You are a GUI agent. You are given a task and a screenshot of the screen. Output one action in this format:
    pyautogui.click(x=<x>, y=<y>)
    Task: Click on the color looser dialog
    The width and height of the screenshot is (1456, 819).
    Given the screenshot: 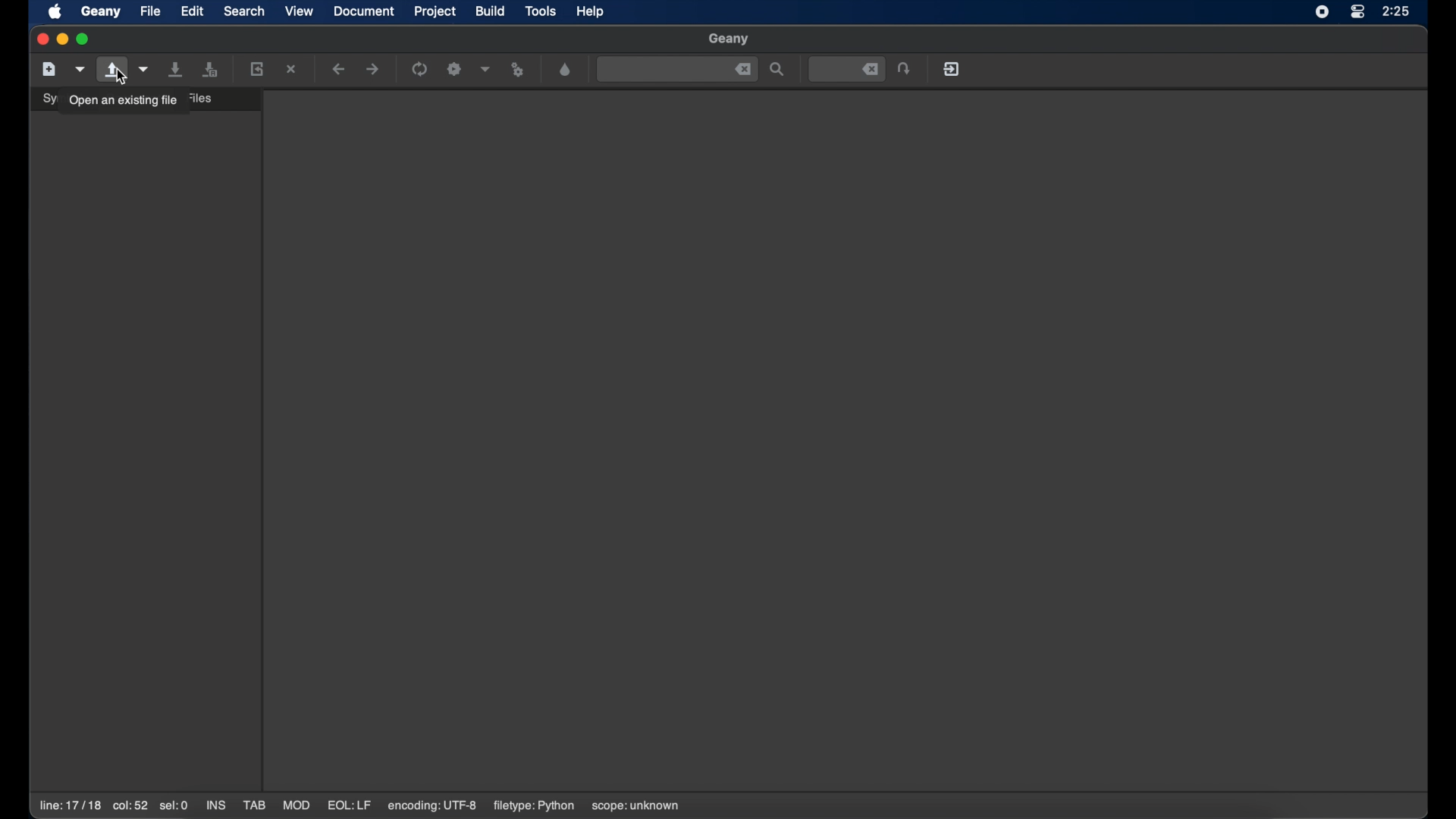 What is the action you would take?
    pyautogui.click(x=566, y=68)
    